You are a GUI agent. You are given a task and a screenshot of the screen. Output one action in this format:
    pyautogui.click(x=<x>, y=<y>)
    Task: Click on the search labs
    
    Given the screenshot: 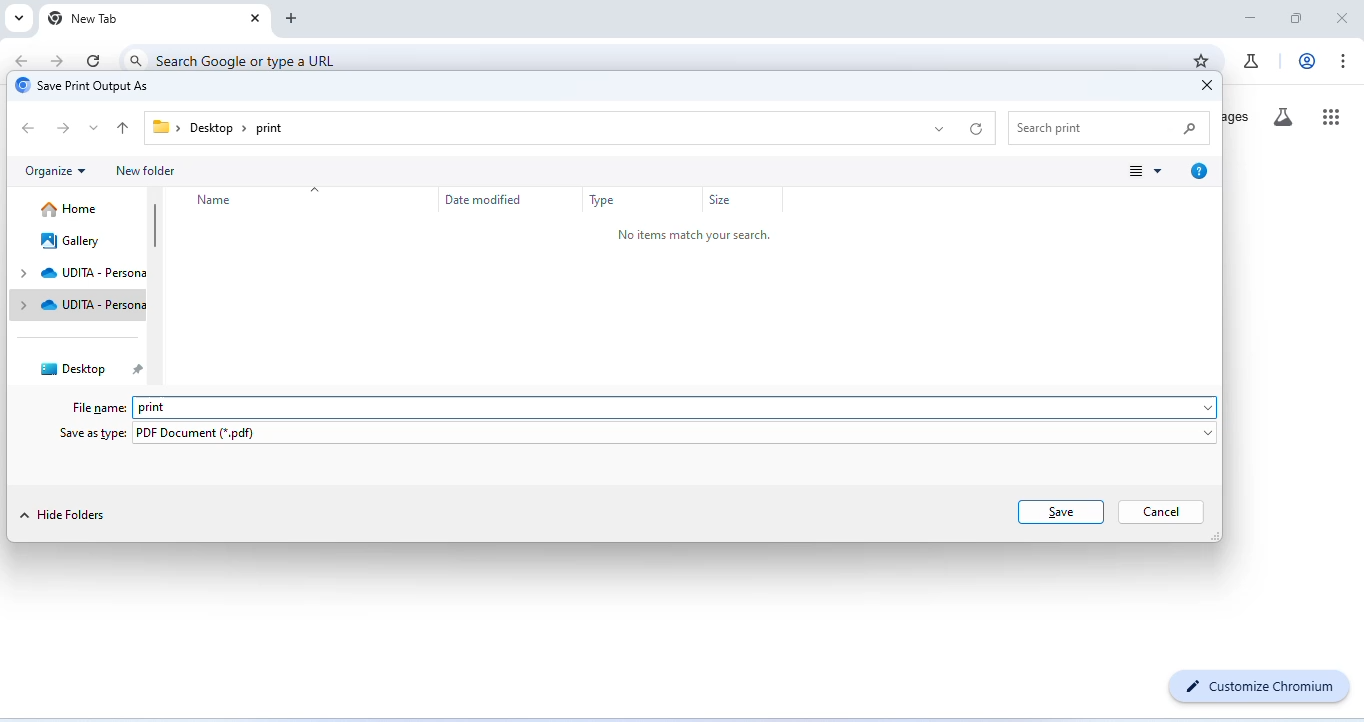 What is the action you would take?
    pyautogui.click(x=1288, y=119)
    